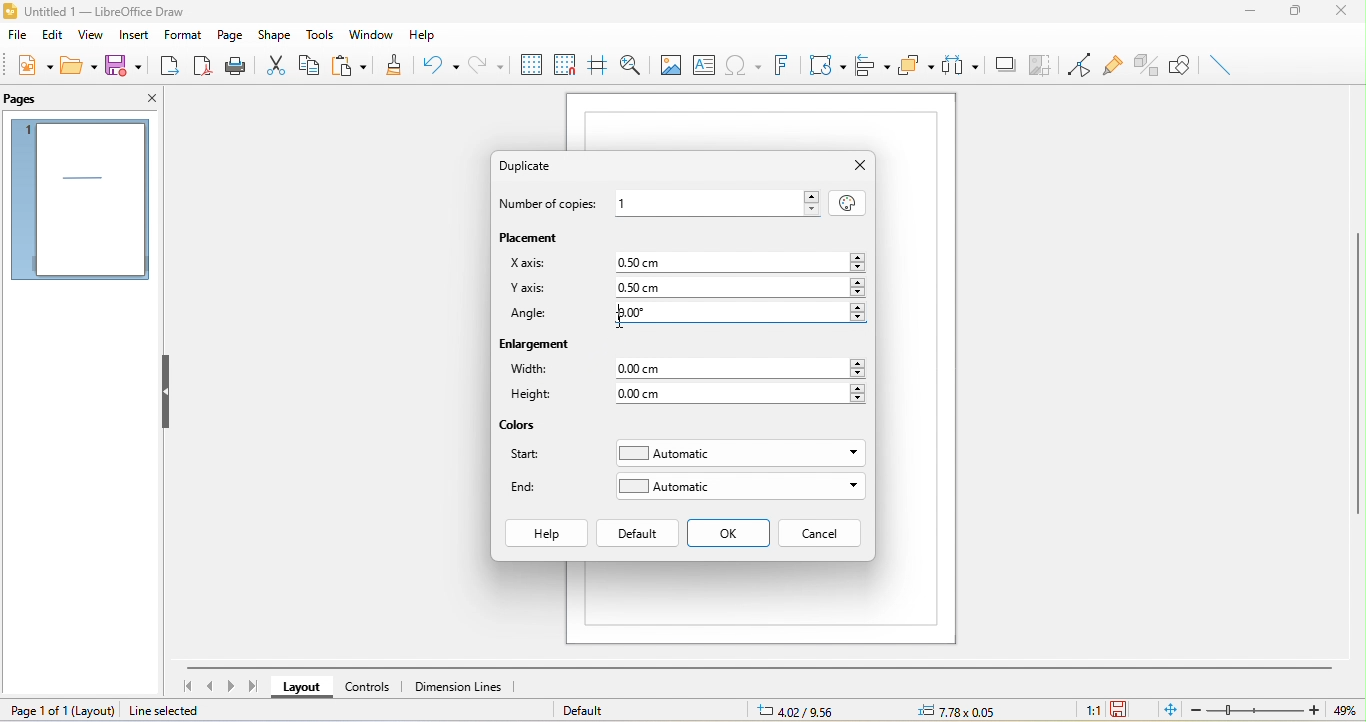 Image resolution: width=1366 pixels, height=722 pixels. What do you see at coordinates (1006, 65) in the screenshot?
I see `shadow` at bounding box center [1006, 65].